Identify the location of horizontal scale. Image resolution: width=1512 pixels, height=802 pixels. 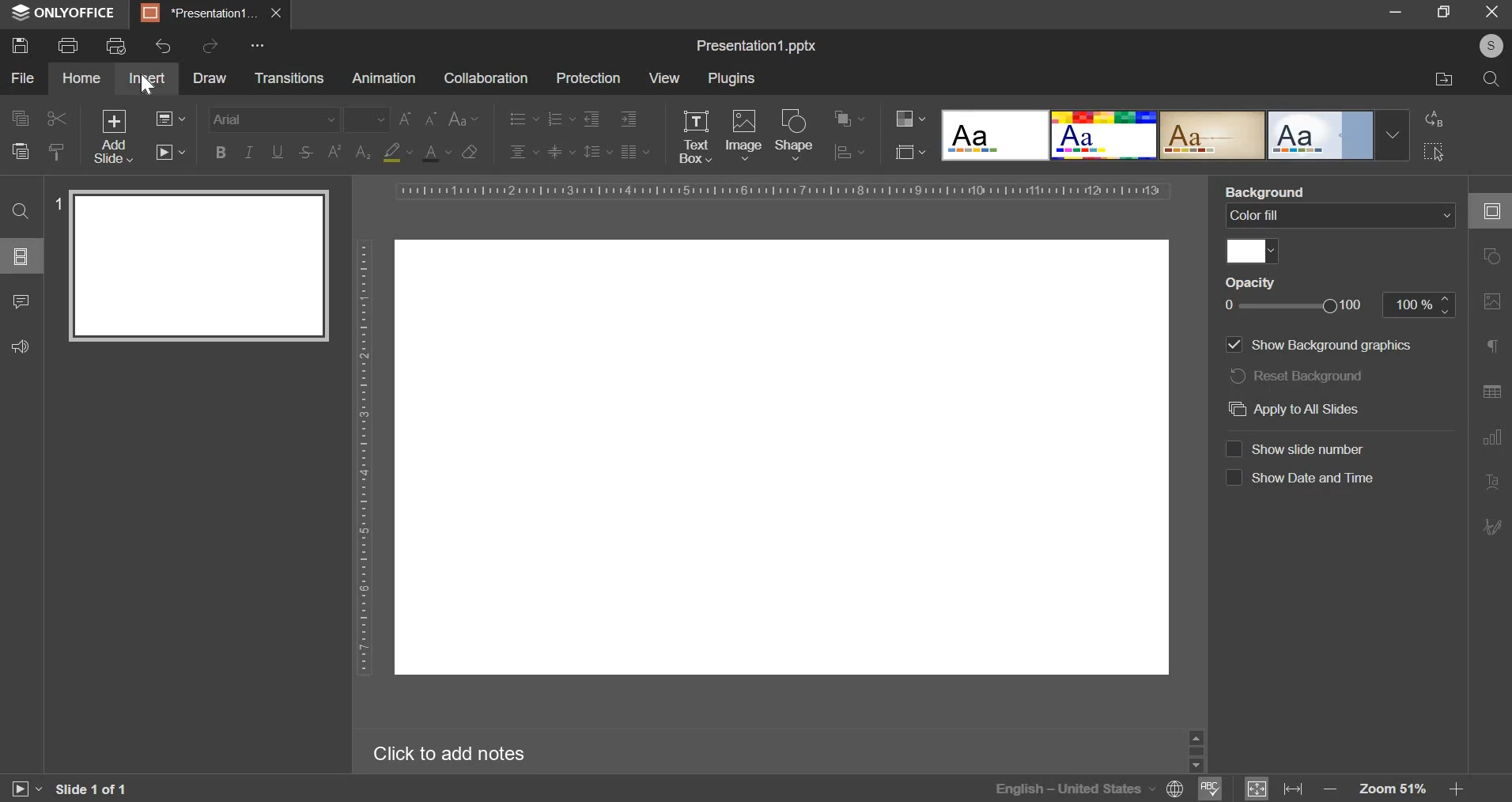
(785, 191).